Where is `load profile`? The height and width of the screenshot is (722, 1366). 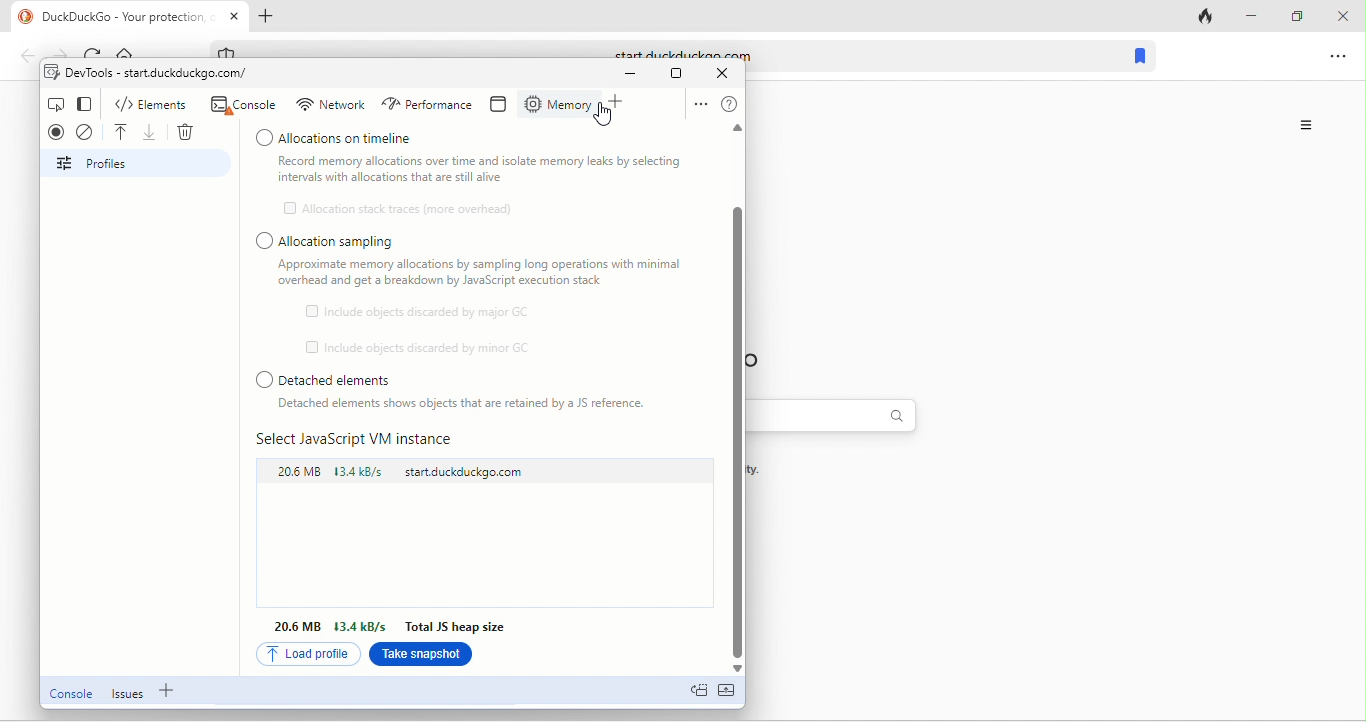
load profile is located at coordinates (307, 654).